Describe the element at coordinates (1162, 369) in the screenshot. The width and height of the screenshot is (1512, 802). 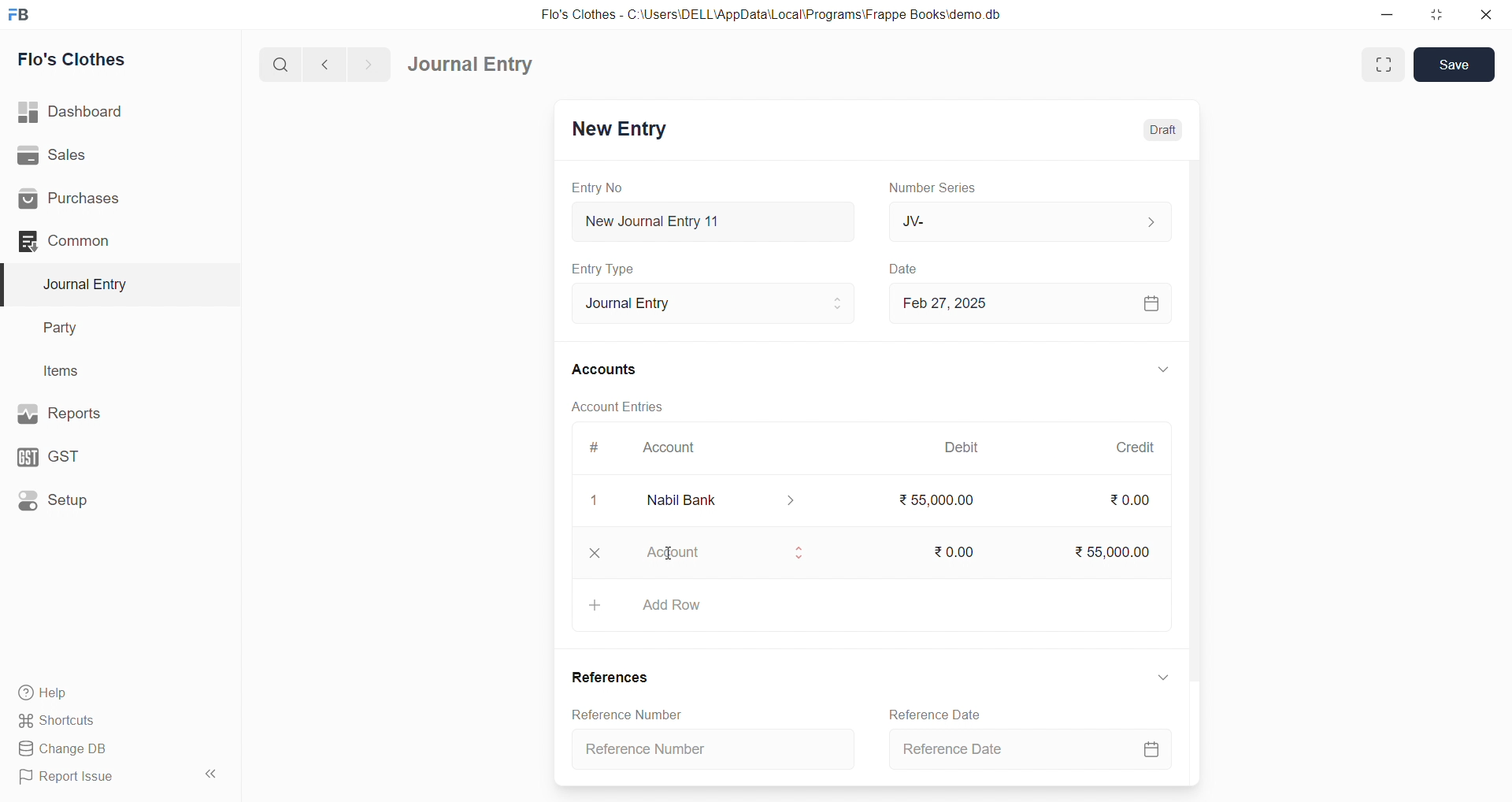
I see `EXPAND/COLLAPSE` at that location.